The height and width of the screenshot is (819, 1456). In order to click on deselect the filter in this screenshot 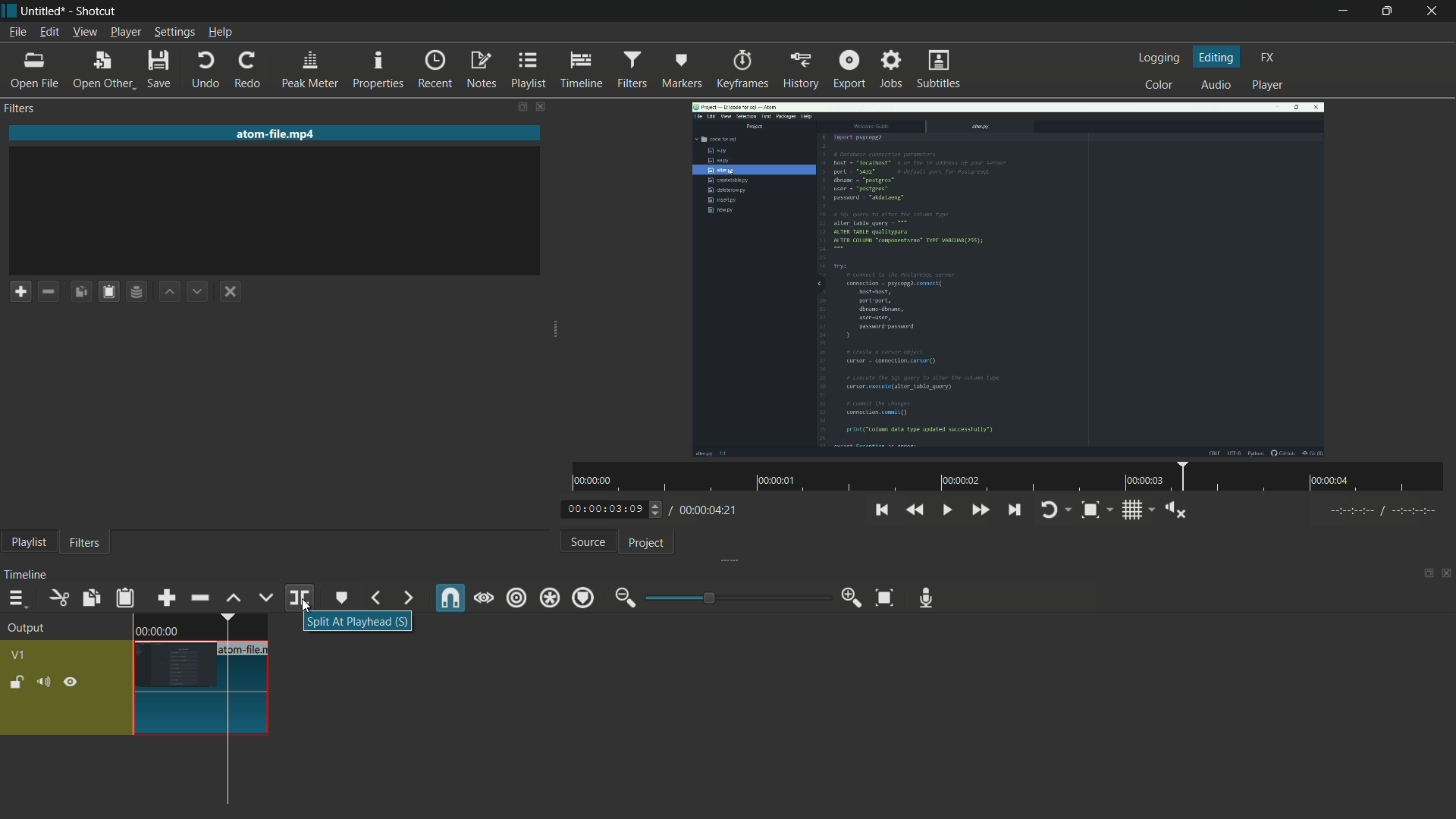, I will do `click(231, 293)`.